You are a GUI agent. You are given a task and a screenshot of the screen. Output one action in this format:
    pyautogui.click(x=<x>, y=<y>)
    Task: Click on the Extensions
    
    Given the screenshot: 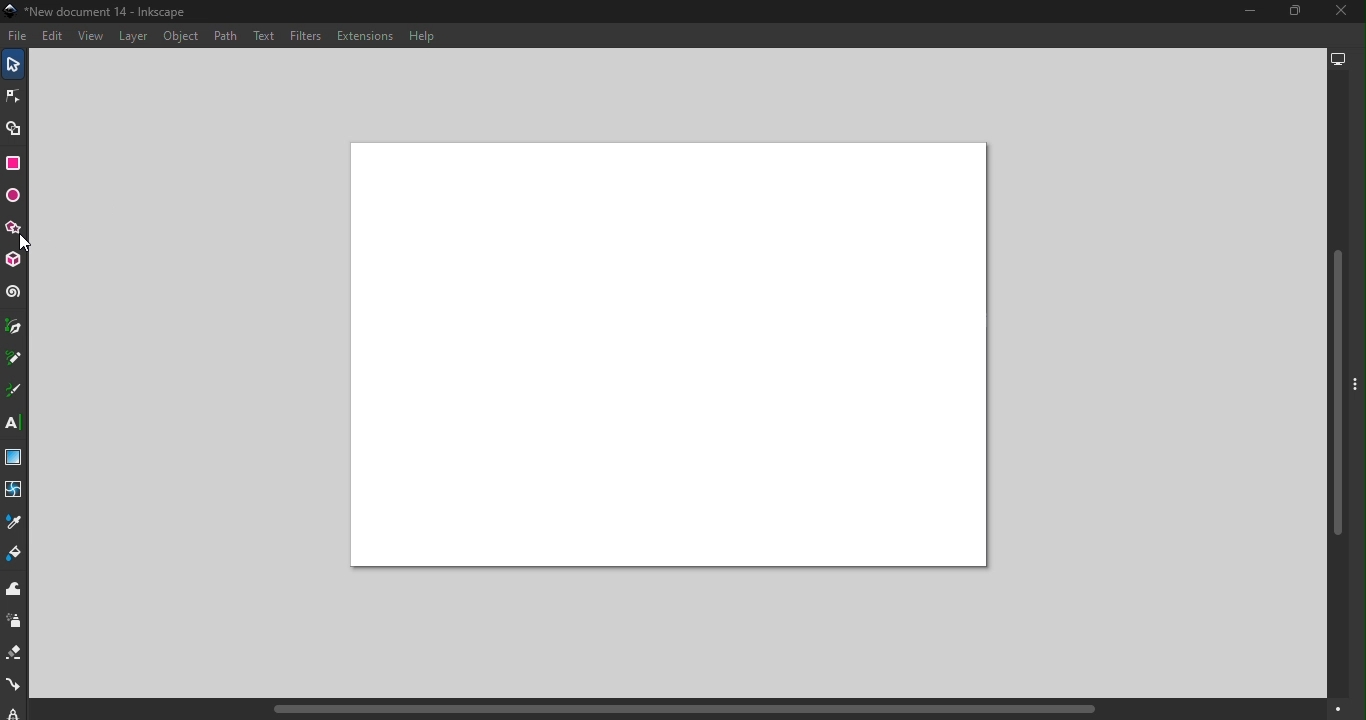 What is the action you would take?
    pyautogui.click(x=369, y=36)
    